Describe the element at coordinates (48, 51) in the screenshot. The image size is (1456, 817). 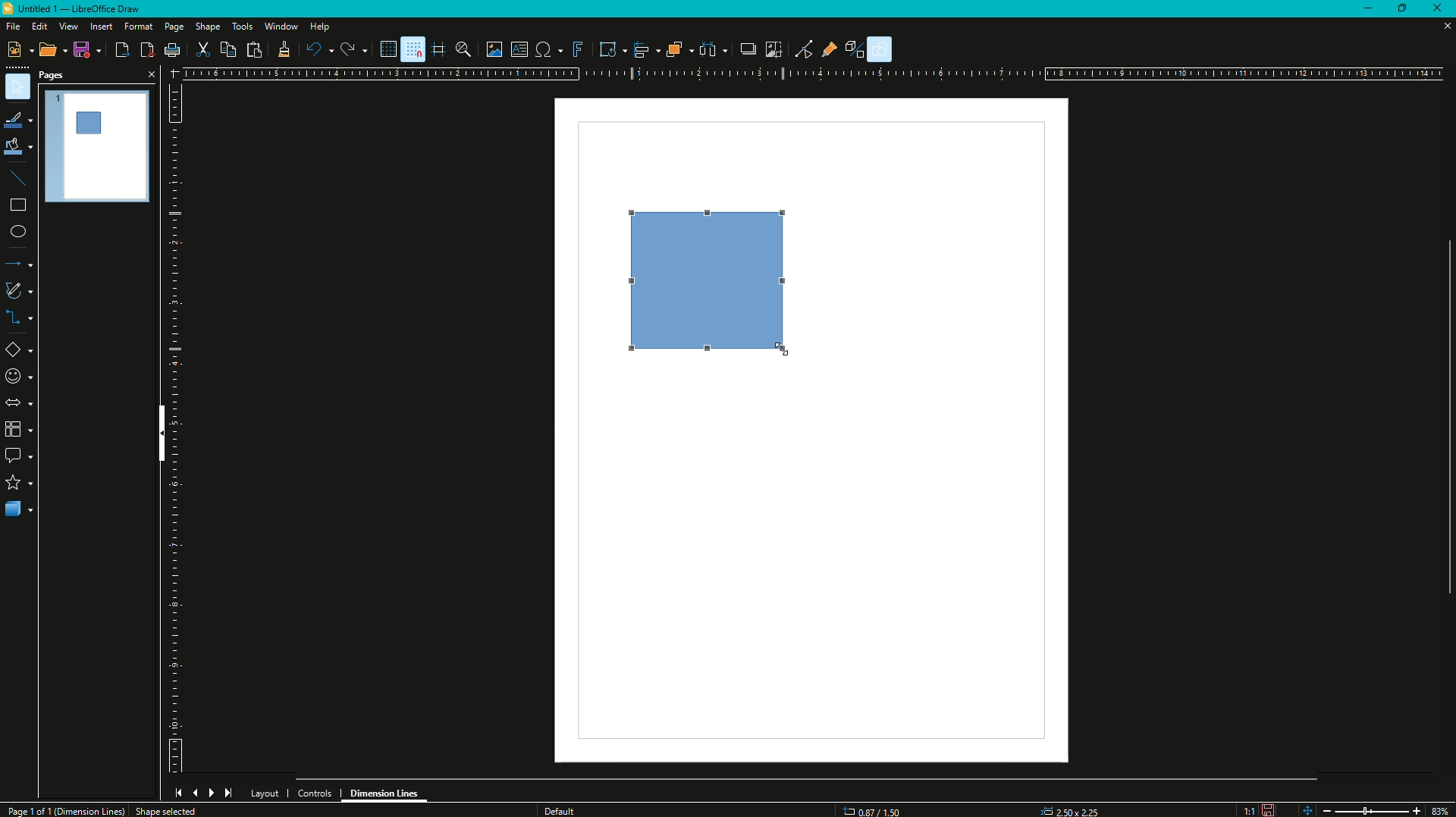
I see `Open` at that location.